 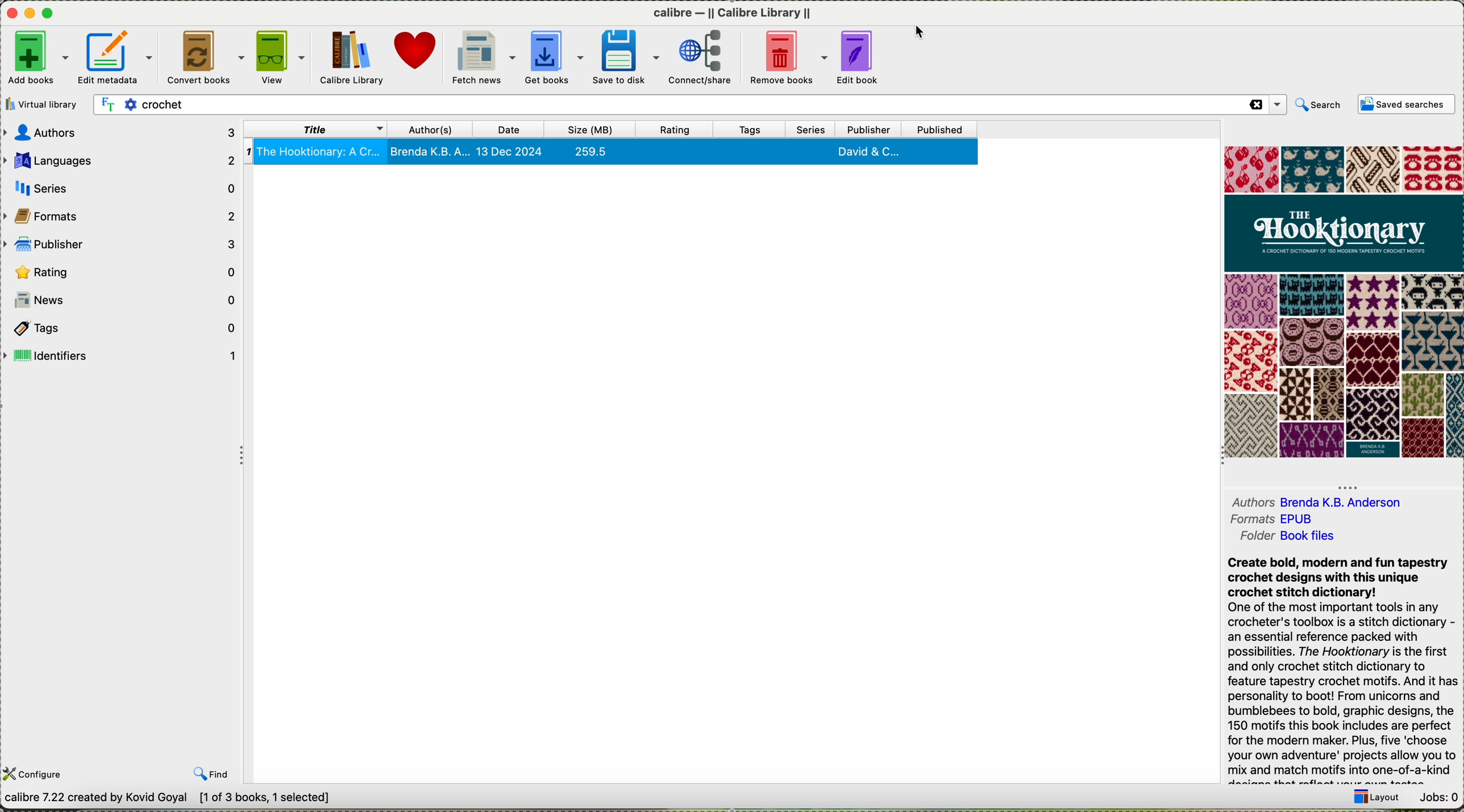 What do you see at coordinates (1346, 503) in the screenshot?
I see `Brenda K.B. Anderson` at bounding box center [1346, 503].